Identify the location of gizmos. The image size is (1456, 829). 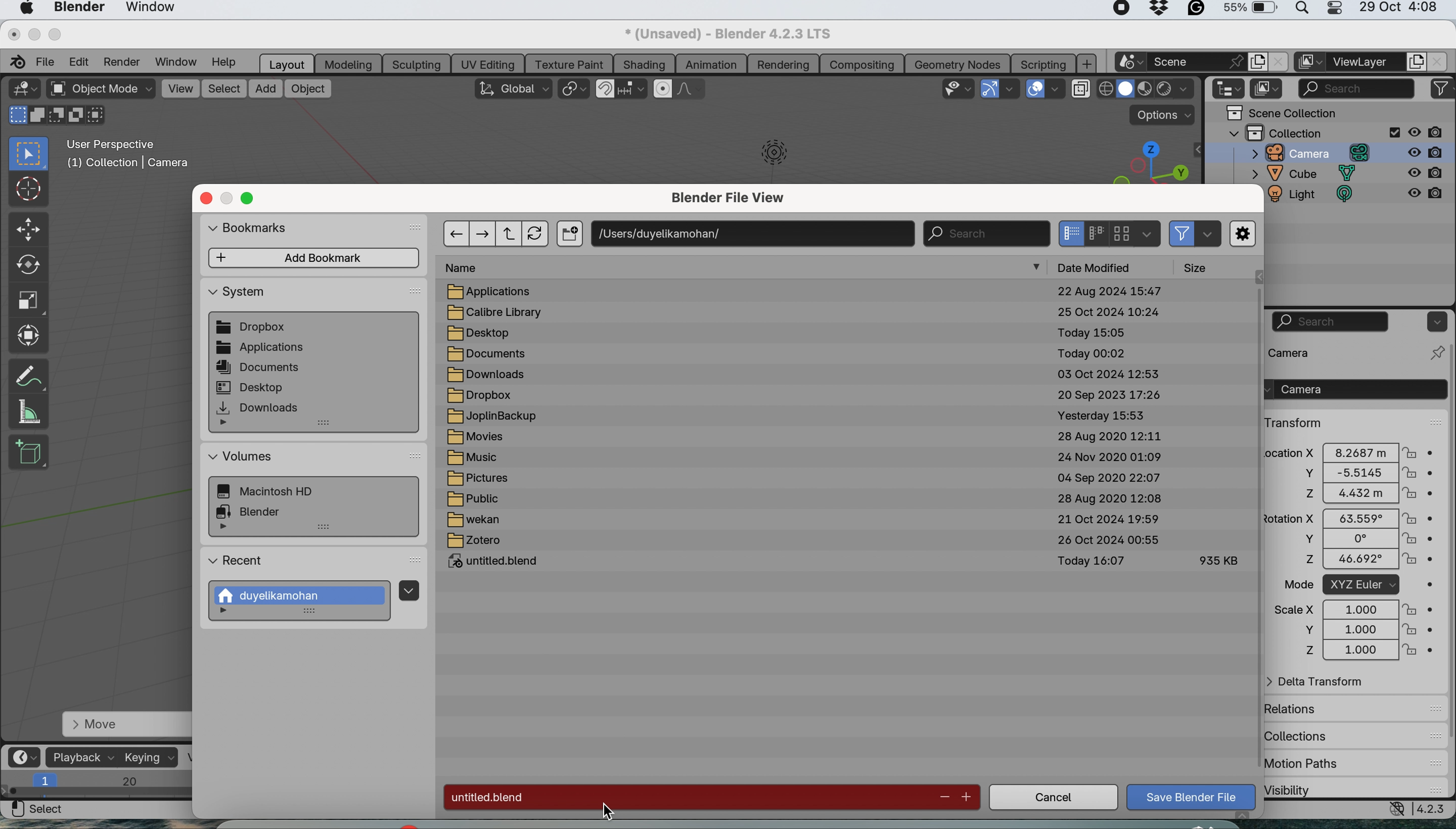
(1012, 89).